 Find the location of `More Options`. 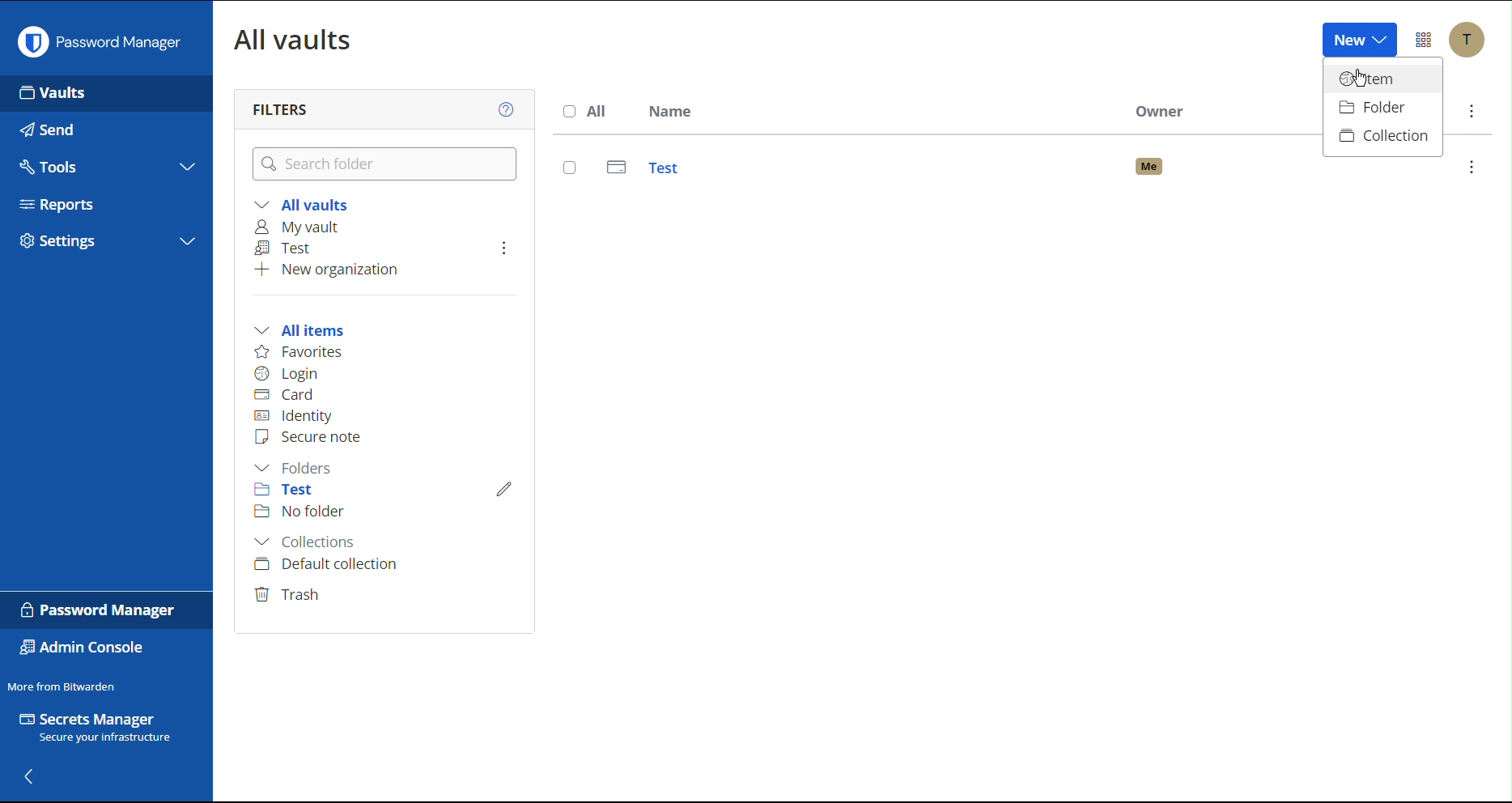

More Options is located at coordinates (501, 247).